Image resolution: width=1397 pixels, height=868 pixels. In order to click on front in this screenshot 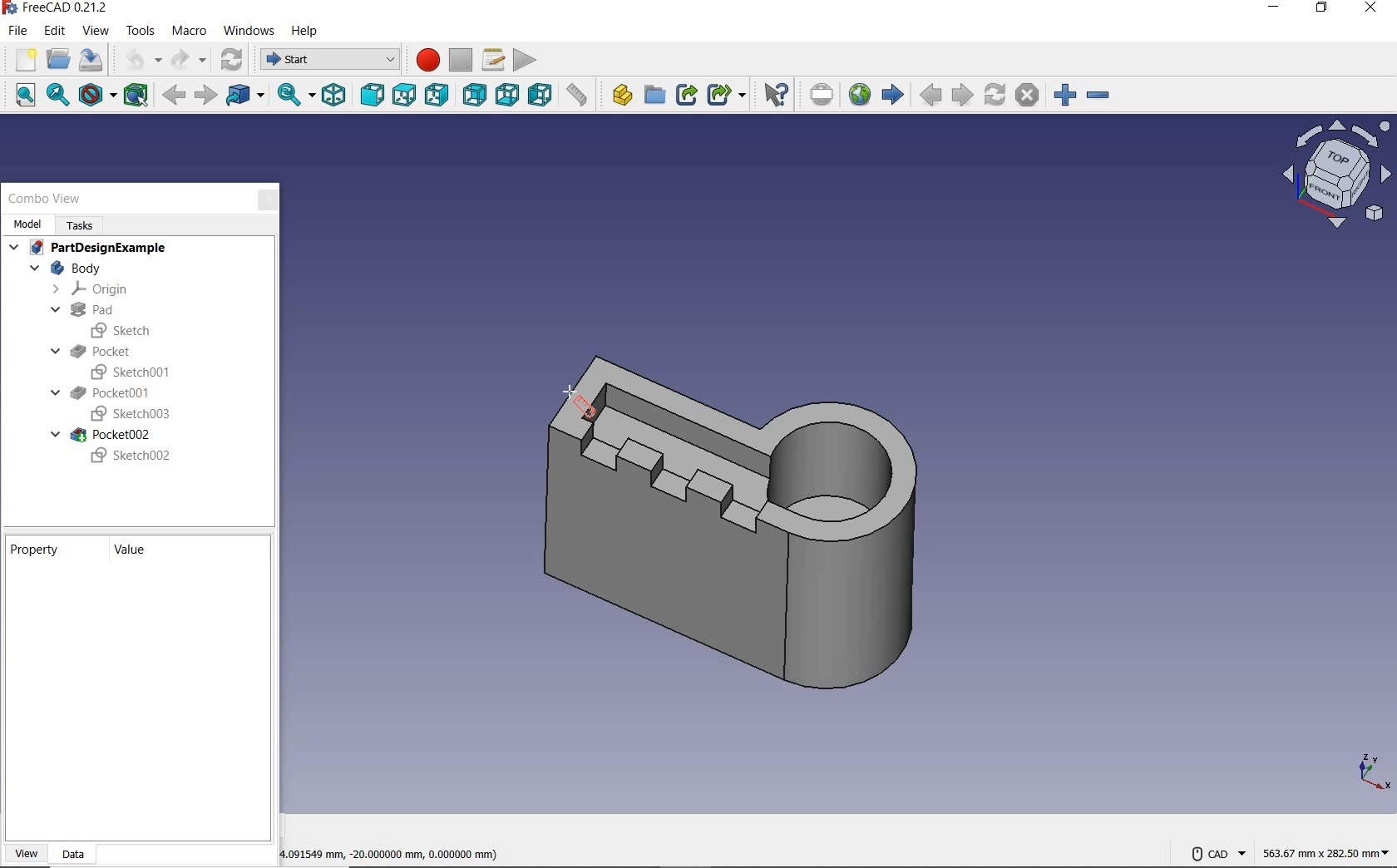, I will do `click(372, 96)`.